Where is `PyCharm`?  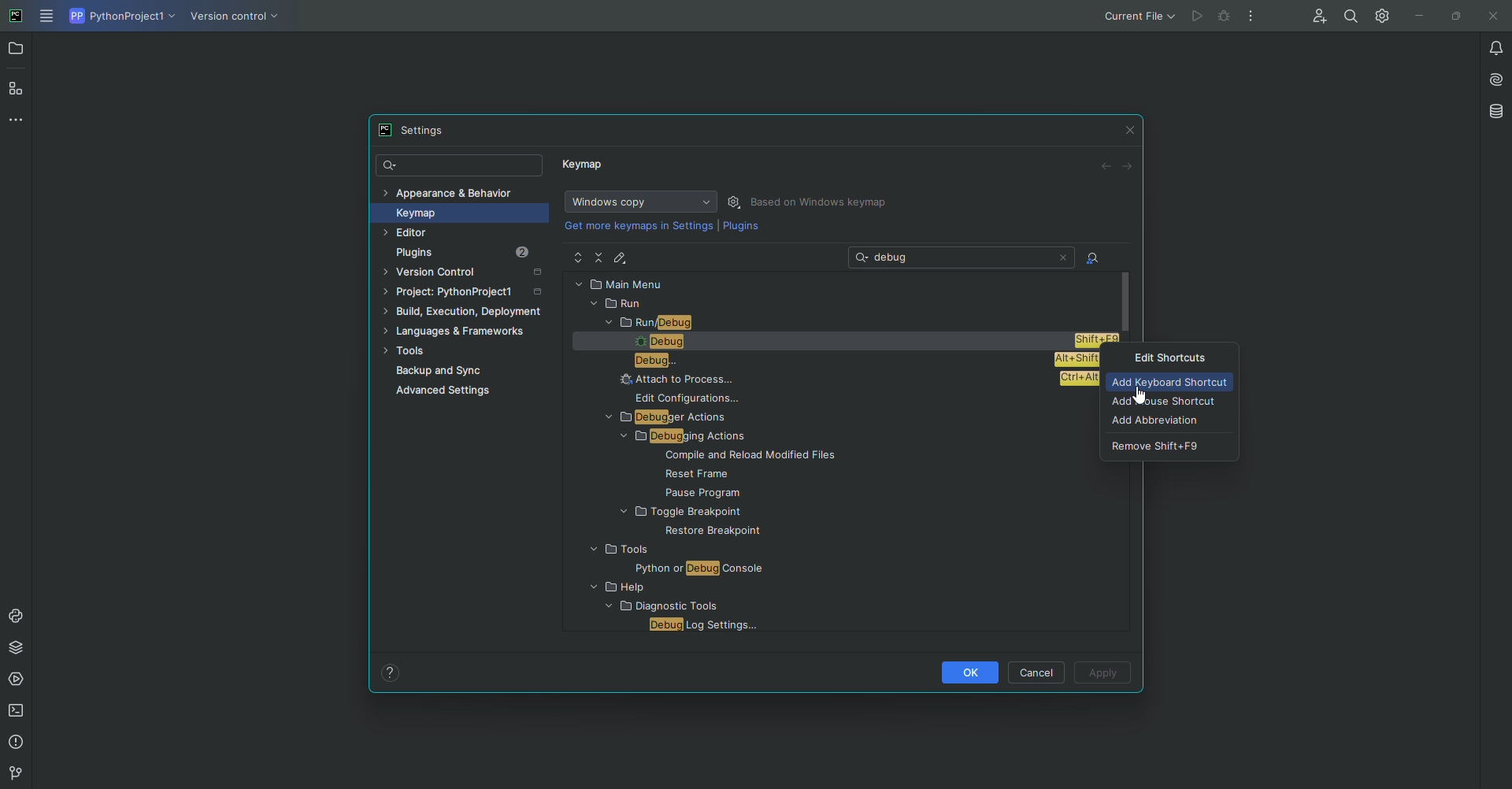 PyCharm is located at coordinates (17, 17).